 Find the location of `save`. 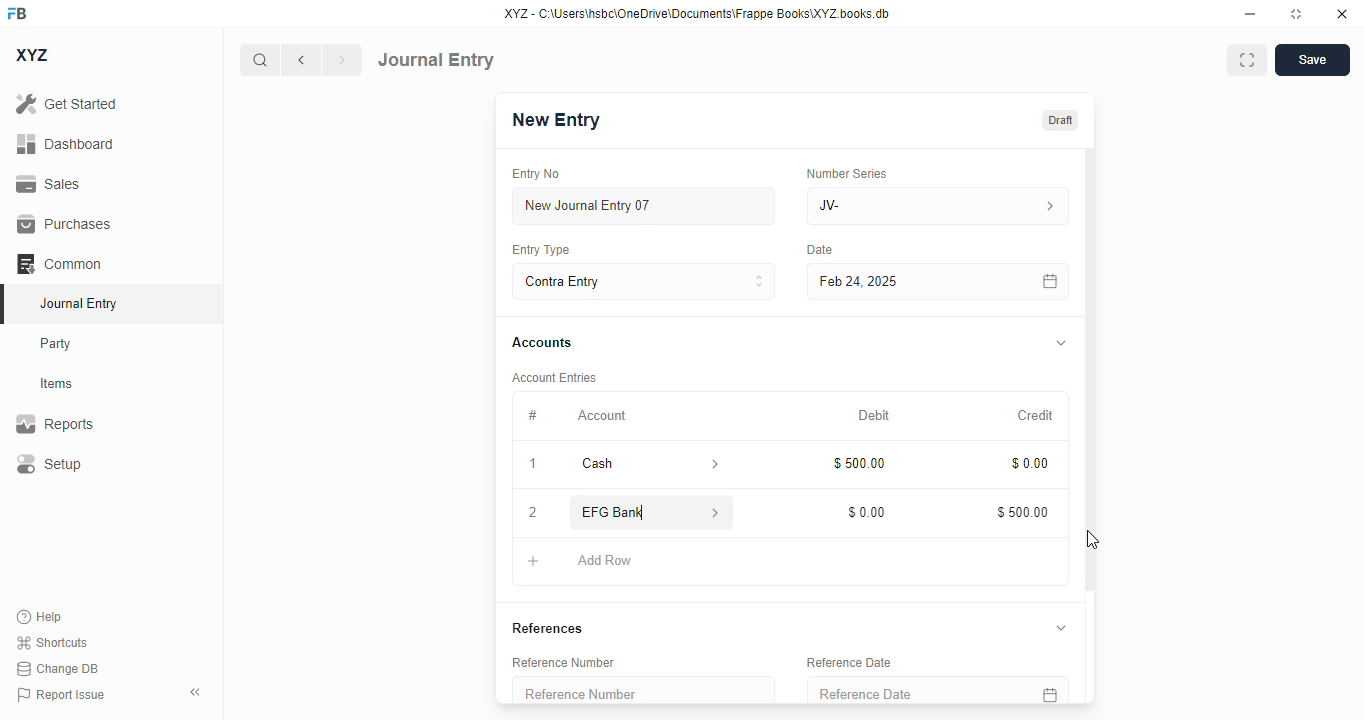

save is located at coordinates (1312, 60).